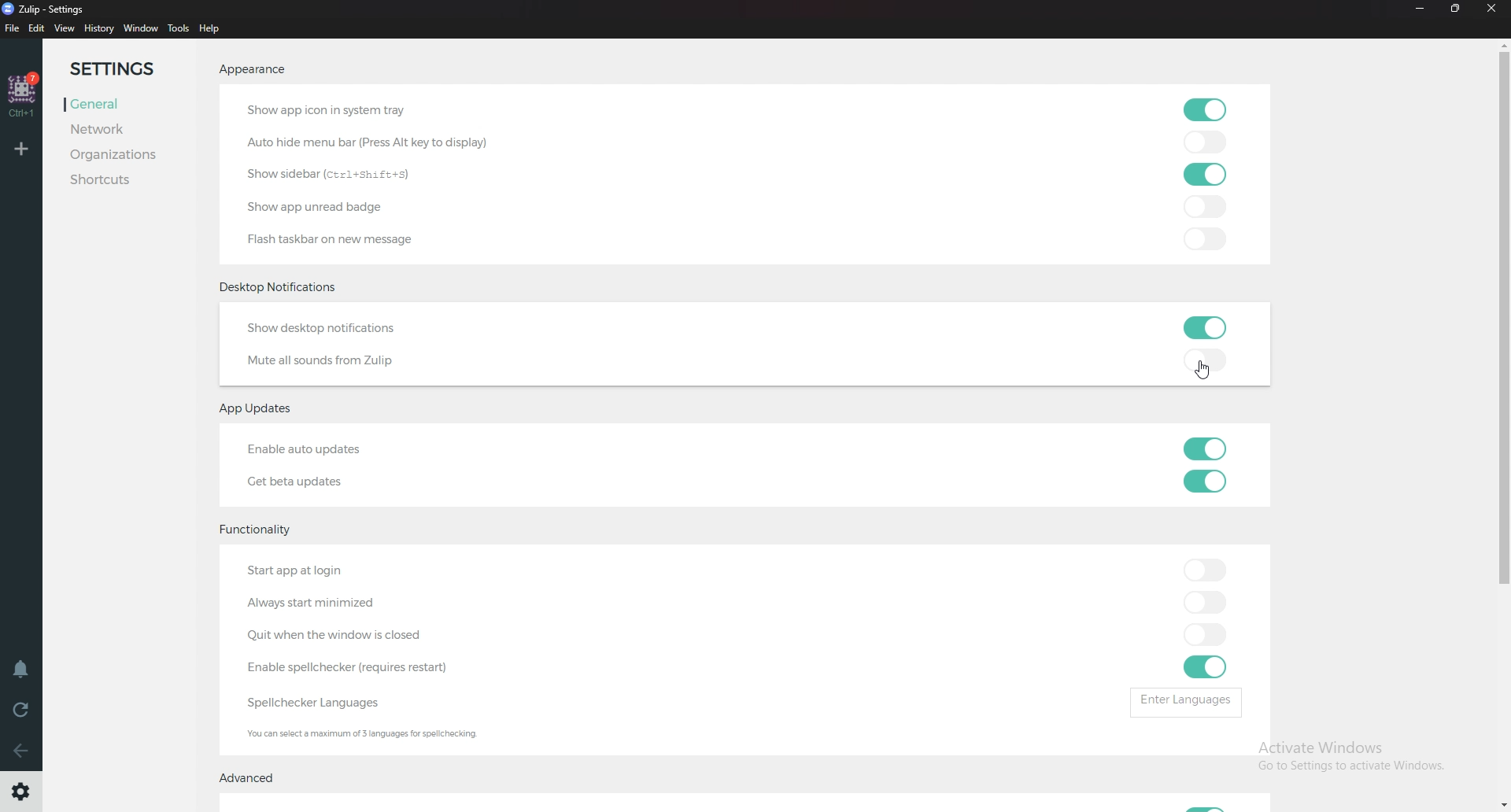 This screenshot has width=1511, height=812. What do you see at coordinates (13, 28) in the screenshot?
I see `file` at bounding box center [13, 28].